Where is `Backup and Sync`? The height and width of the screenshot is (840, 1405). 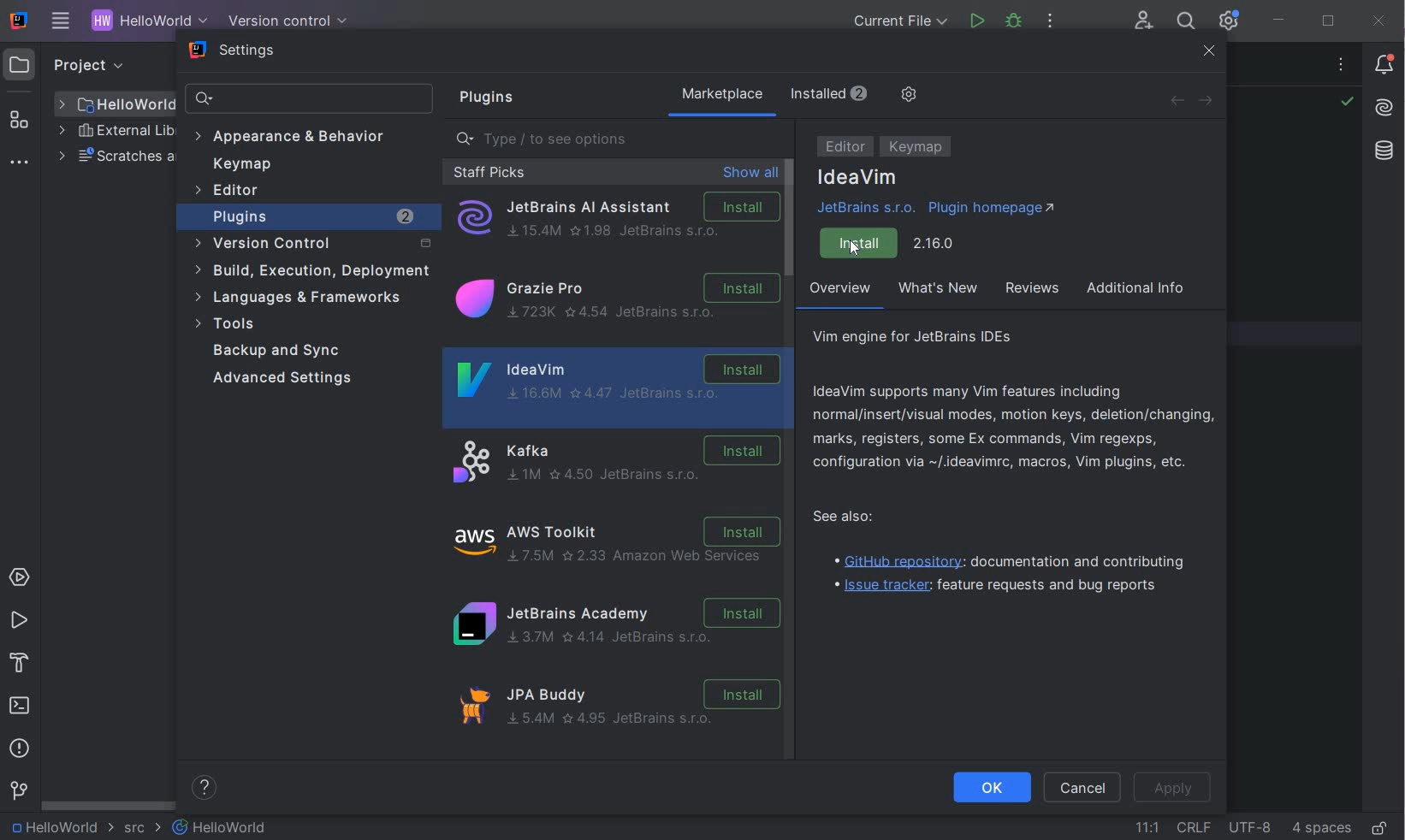
Backup and Sync is located at coordinates (282, 351).